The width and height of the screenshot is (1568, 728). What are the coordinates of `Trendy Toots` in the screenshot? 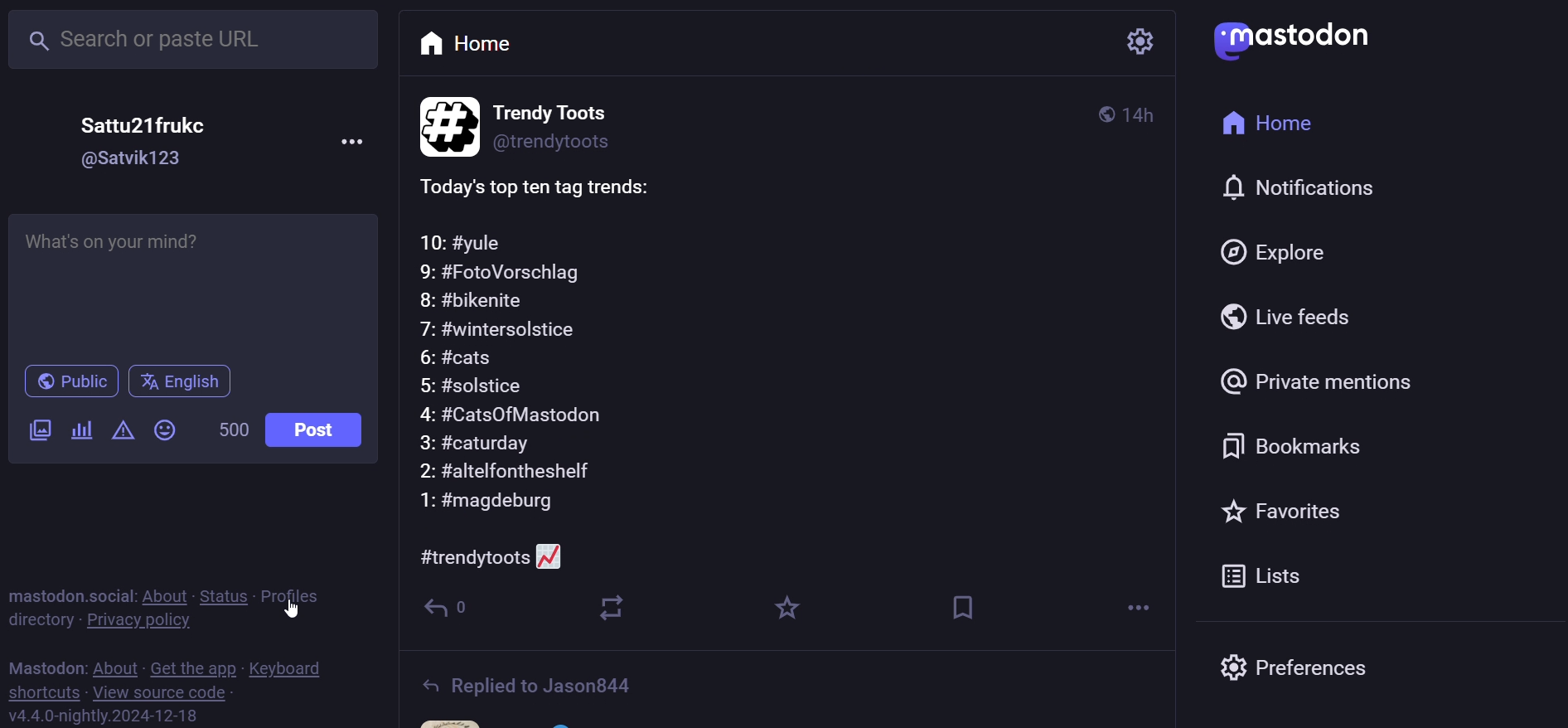 It's located at (554, 111).